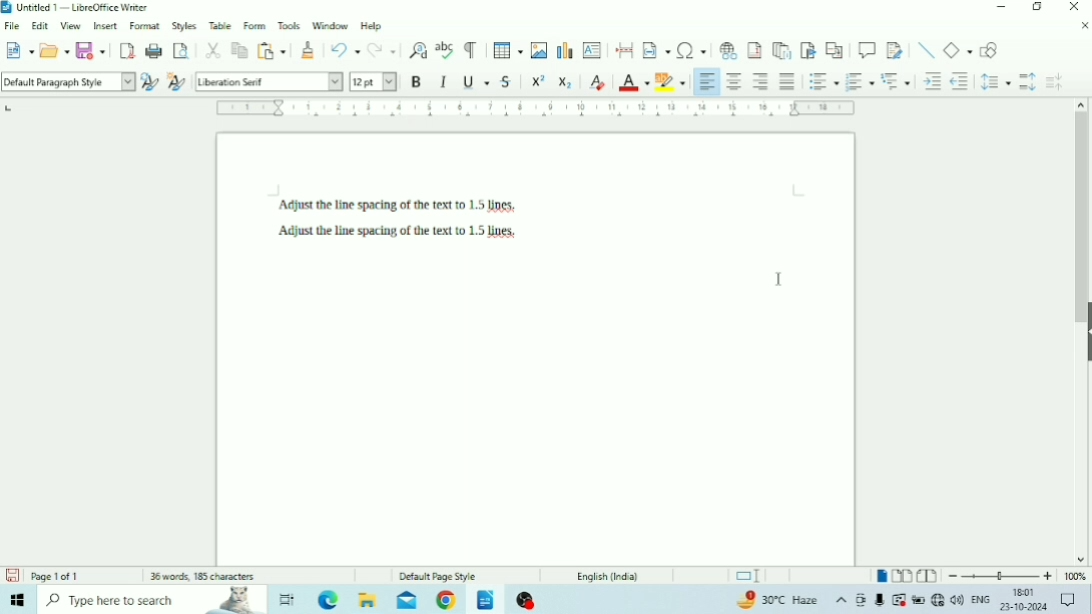 Image resolution: width=1092 pixels, height=614 pixels. I want to click on Microsoft Edge, so click(328, 600).